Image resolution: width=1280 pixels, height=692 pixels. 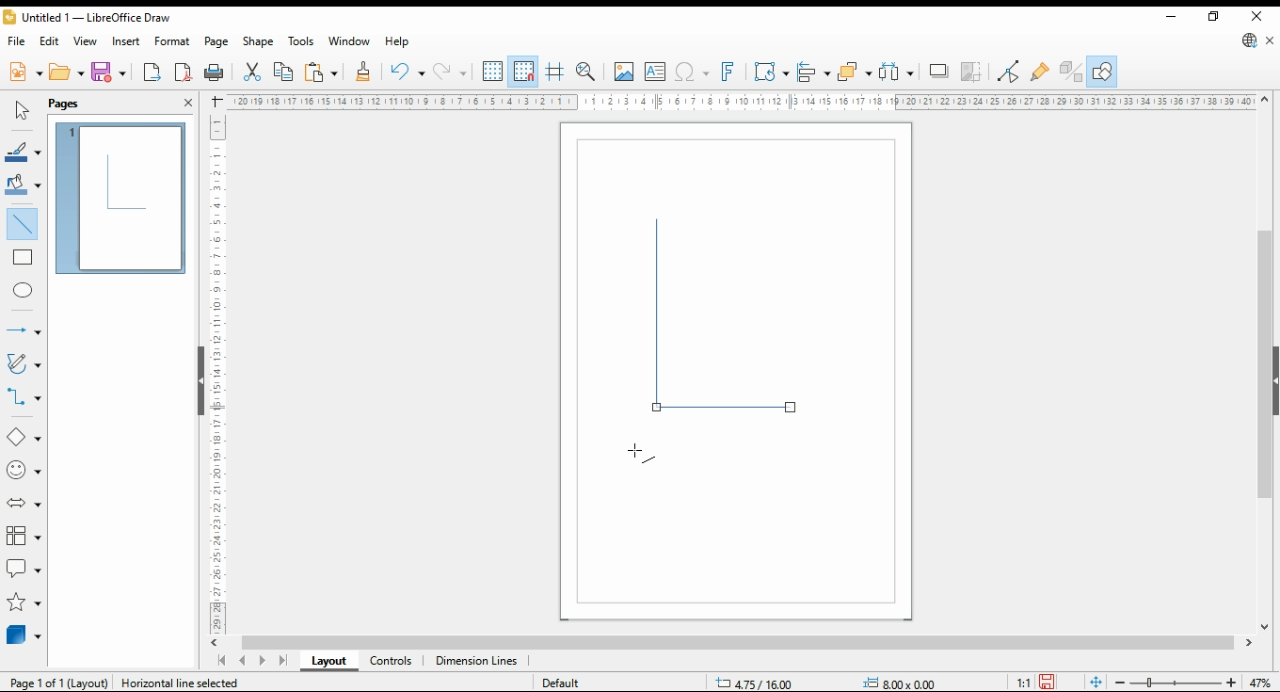 I want to click on scroll bar, so click(x=1266, y=362).